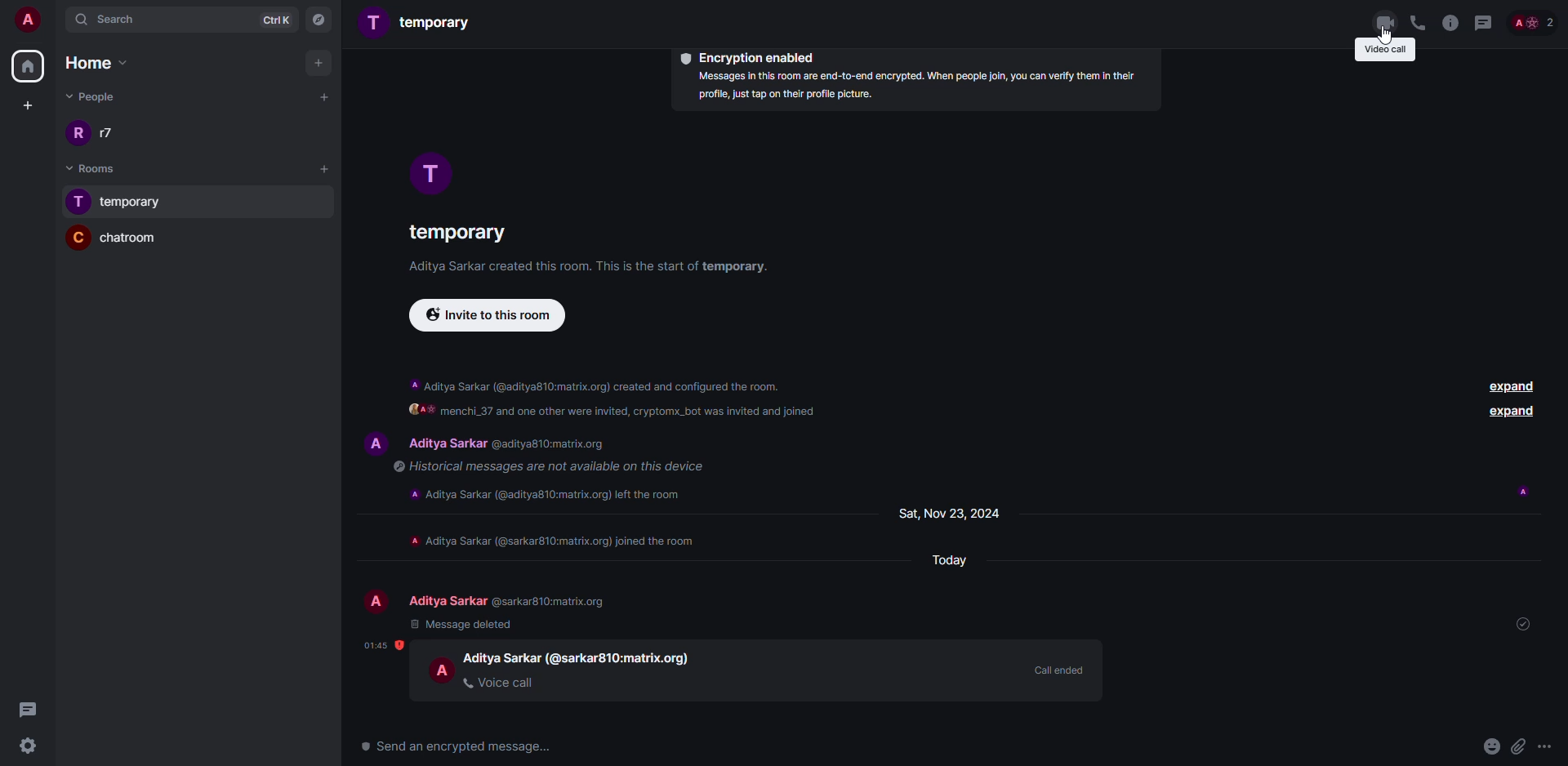 The image size is (1568, 766). I want to click on room, so click(136, 203).